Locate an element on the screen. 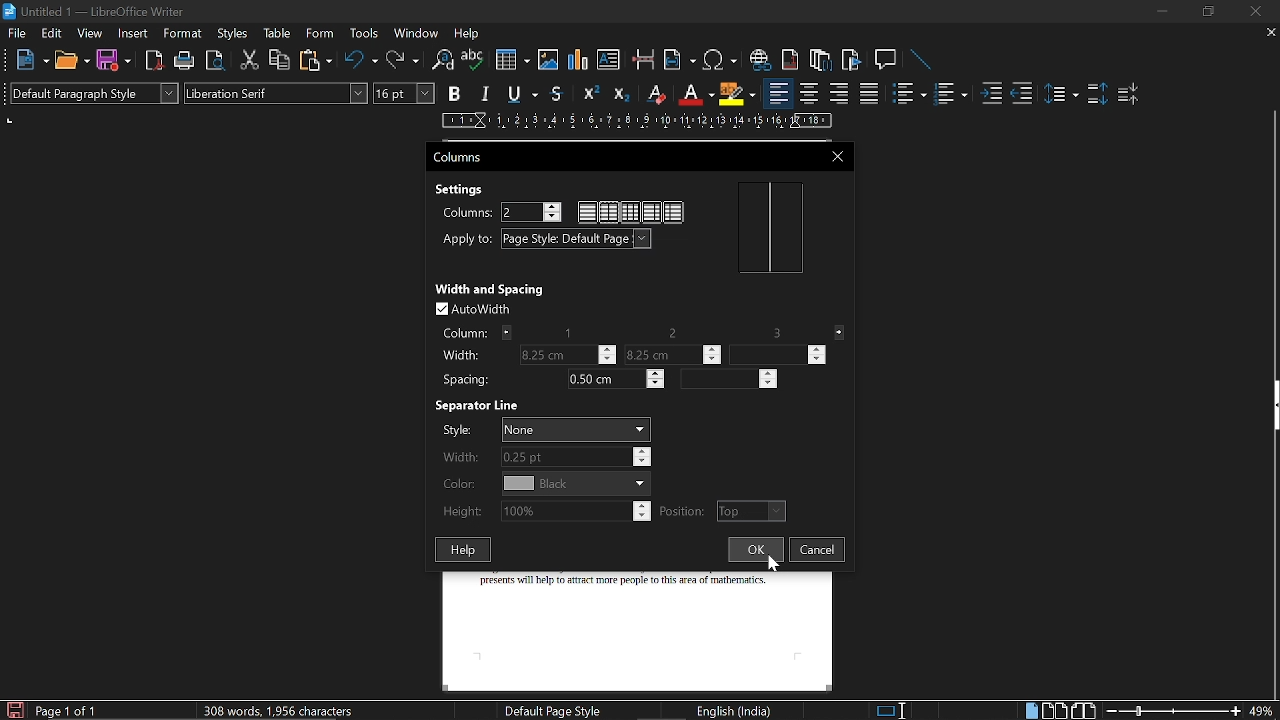 This screenshot has height=720, width=1280. Width of column 3 is located at coordinates (779, 354).